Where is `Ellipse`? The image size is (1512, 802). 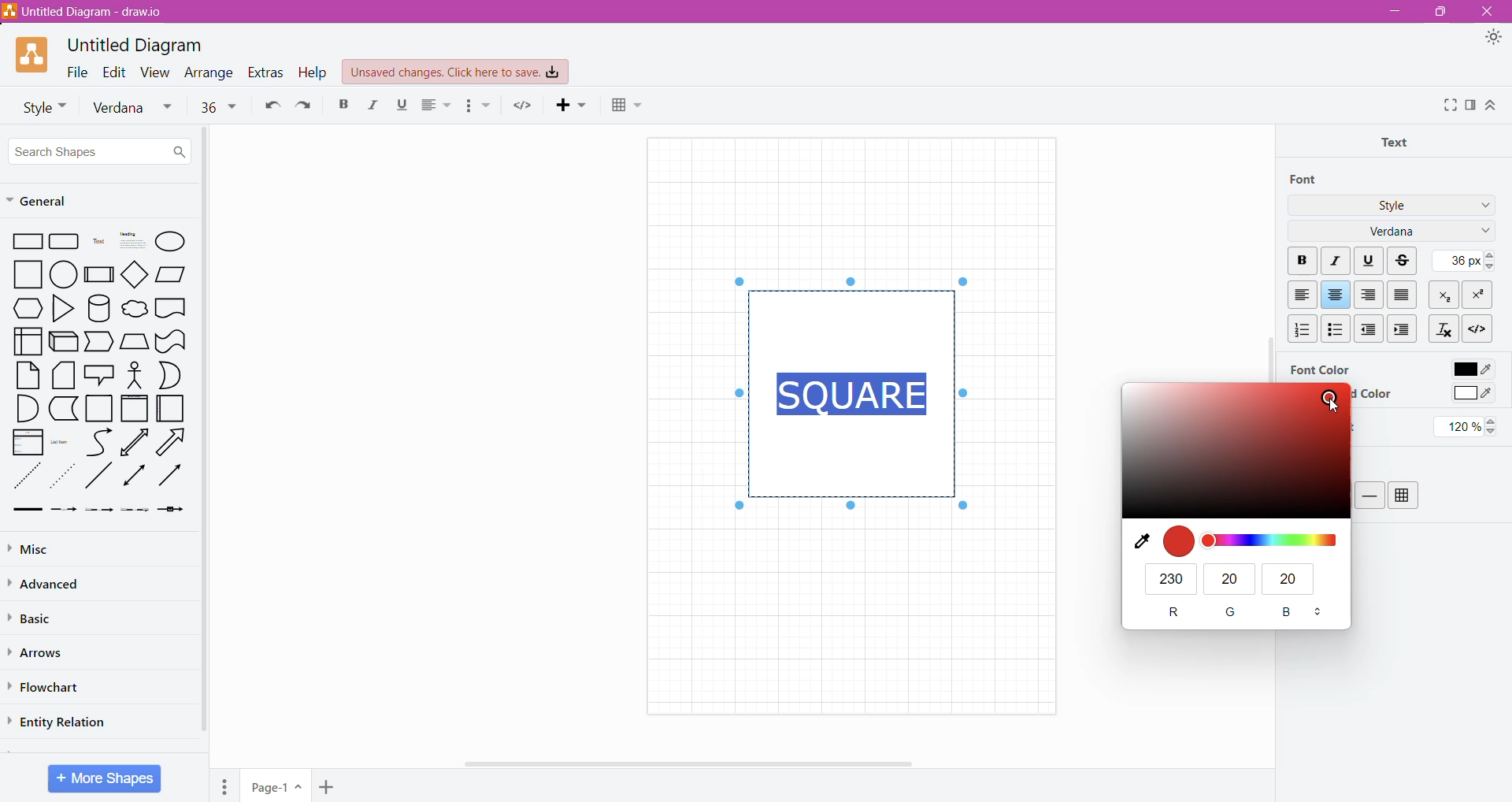
Ellipse is located at coordinates (170, 243).